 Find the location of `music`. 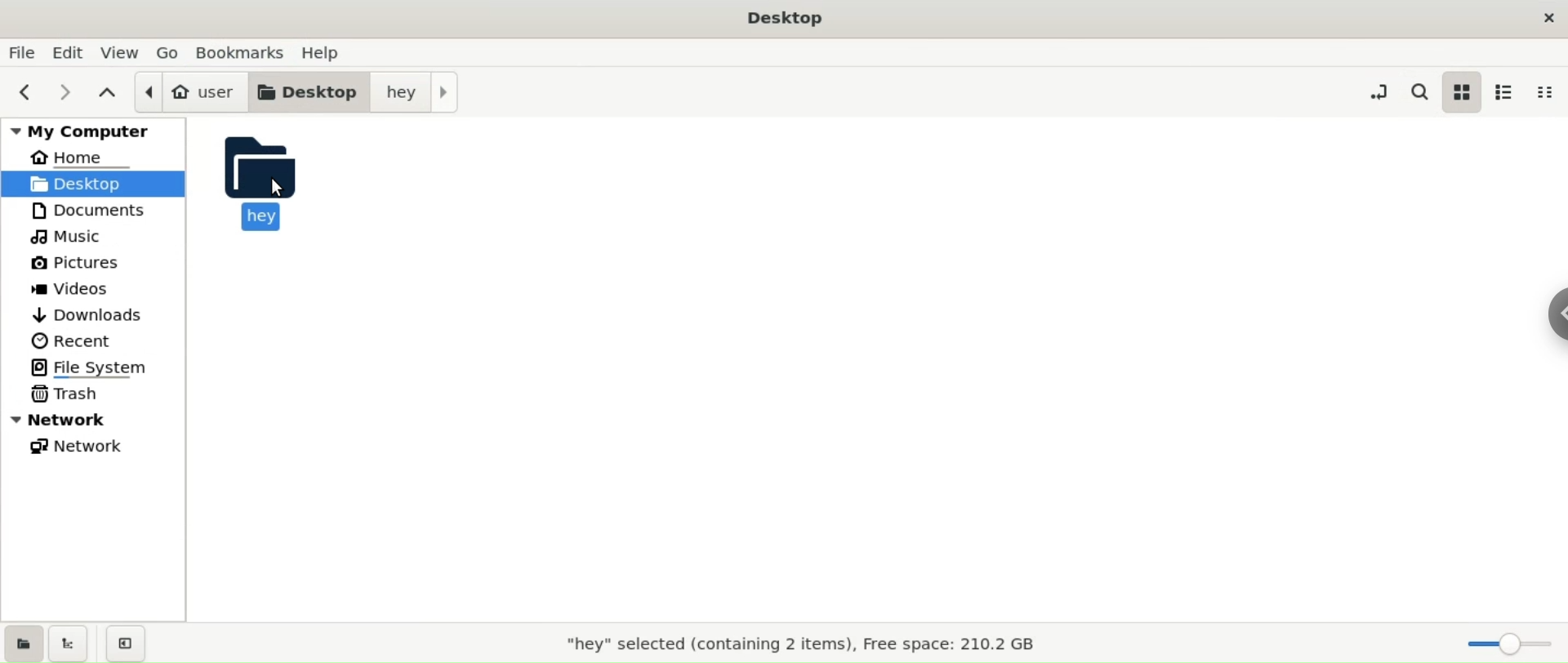

music is located at coordinates (67, 235).